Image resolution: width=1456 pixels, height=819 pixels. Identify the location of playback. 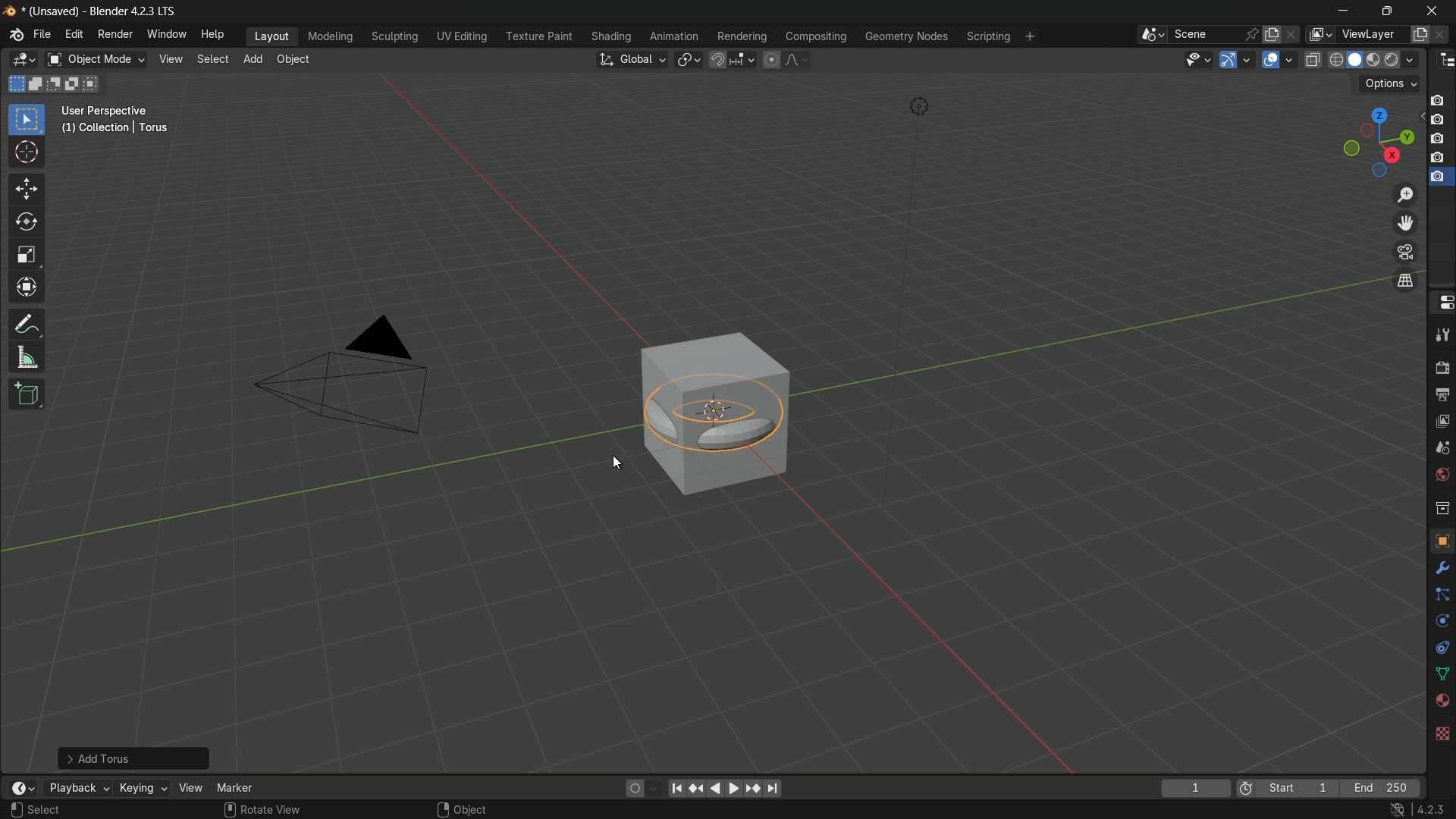
(77, 788).